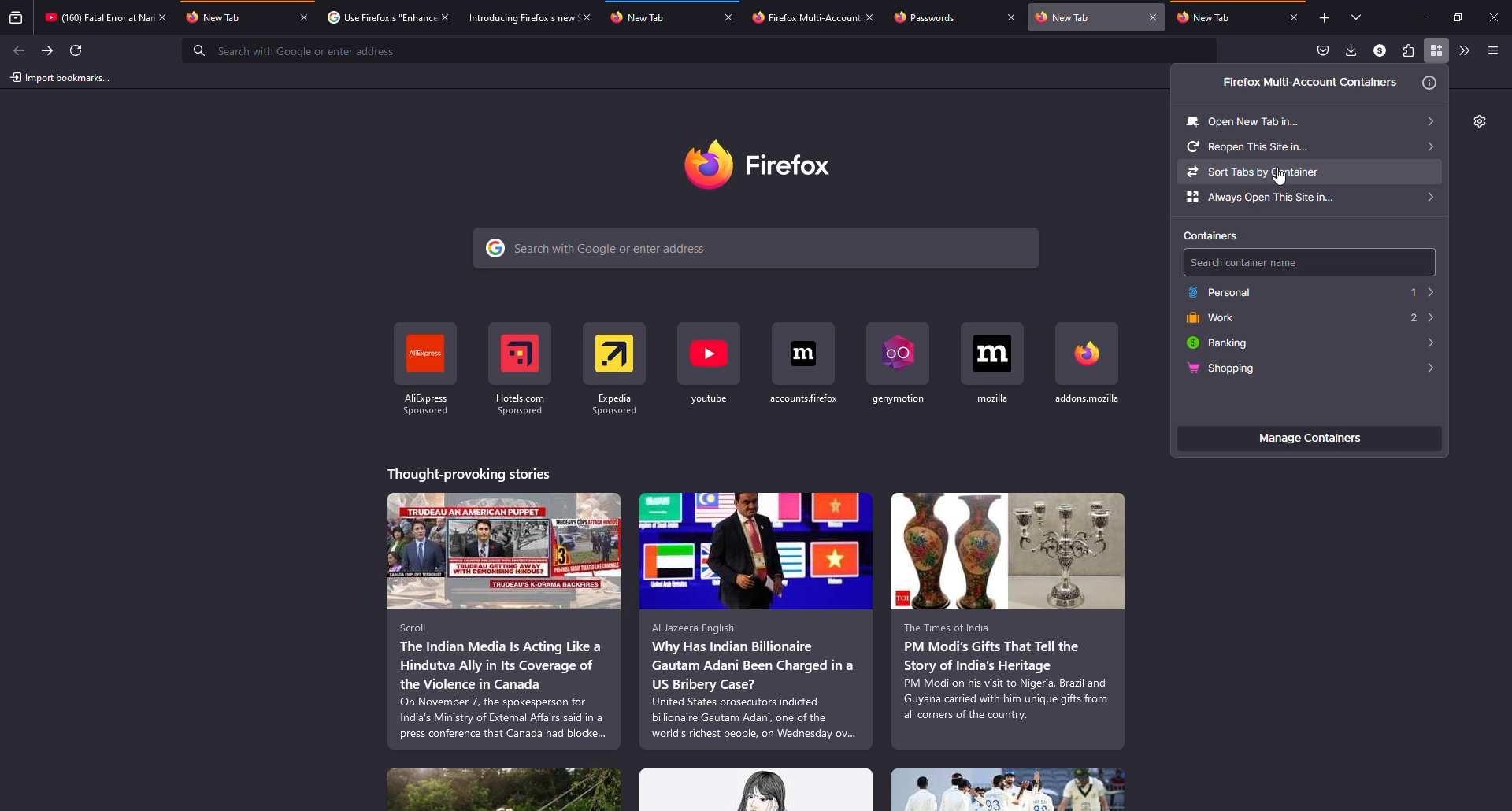  I want to click on extensions, so click(1406, 51).